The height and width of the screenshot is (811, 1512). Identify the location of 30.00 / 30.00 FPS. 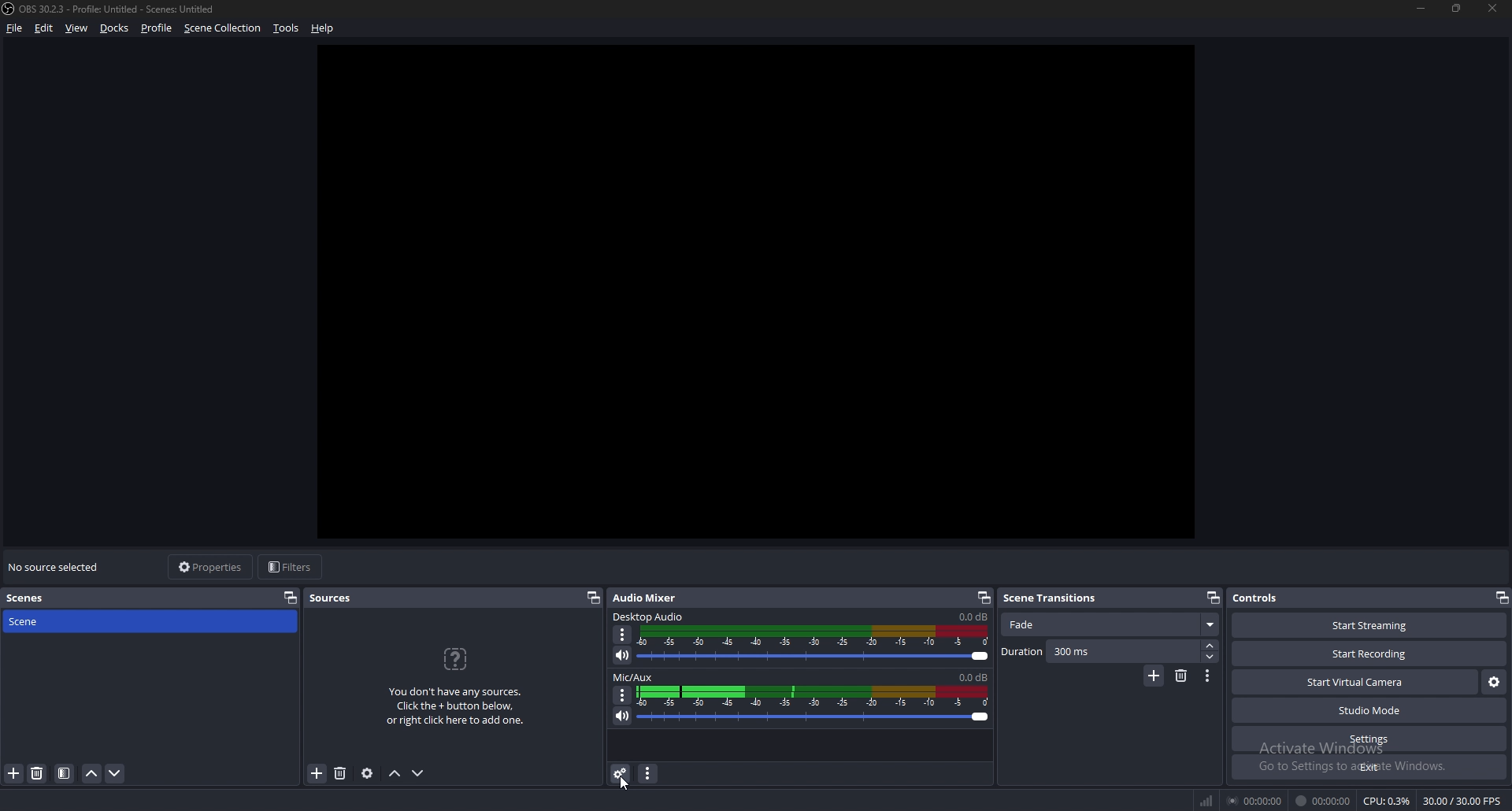
(1461, 801).